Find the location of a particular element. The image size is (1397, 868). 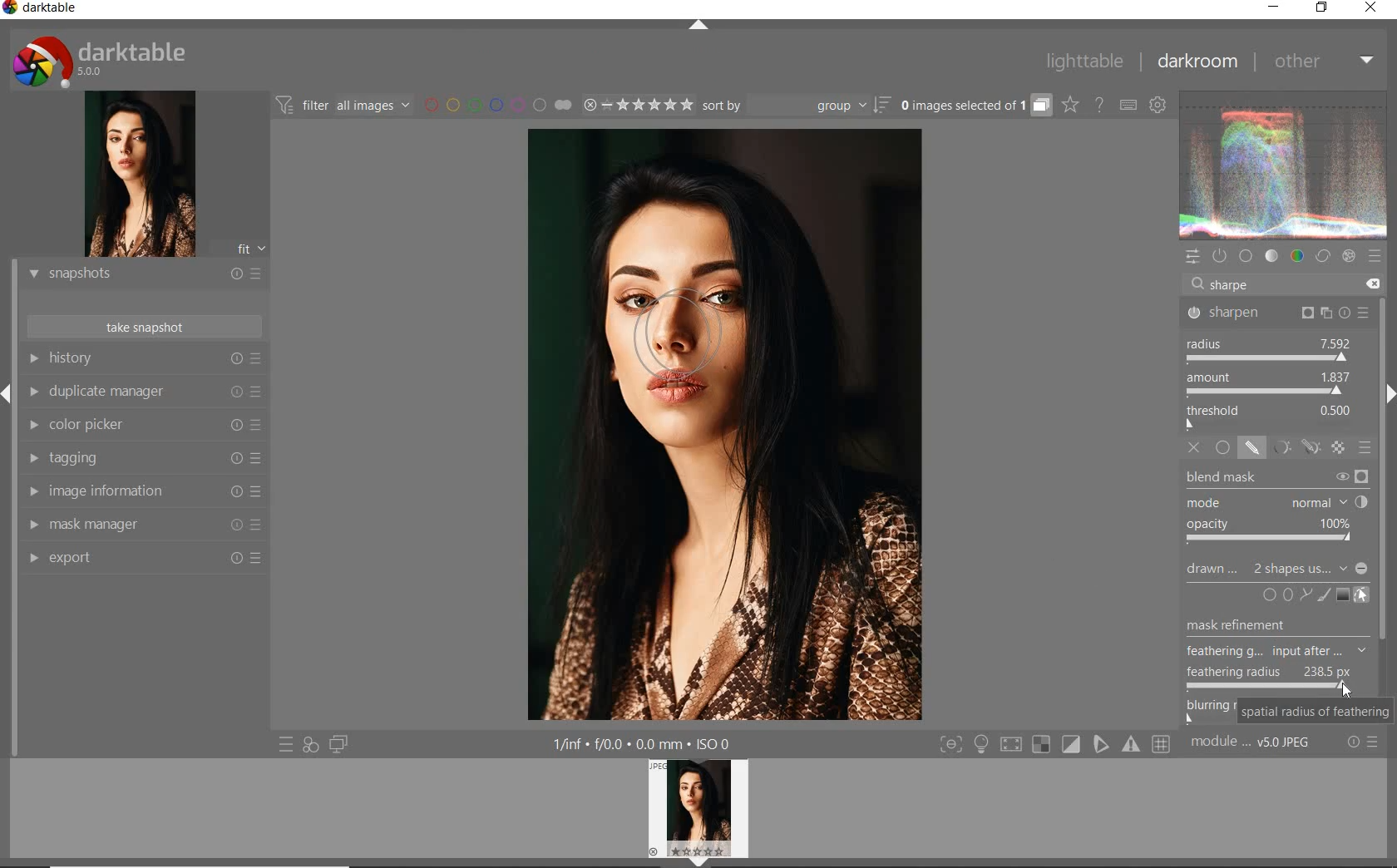

effect is located at coordinates (1348, 257).